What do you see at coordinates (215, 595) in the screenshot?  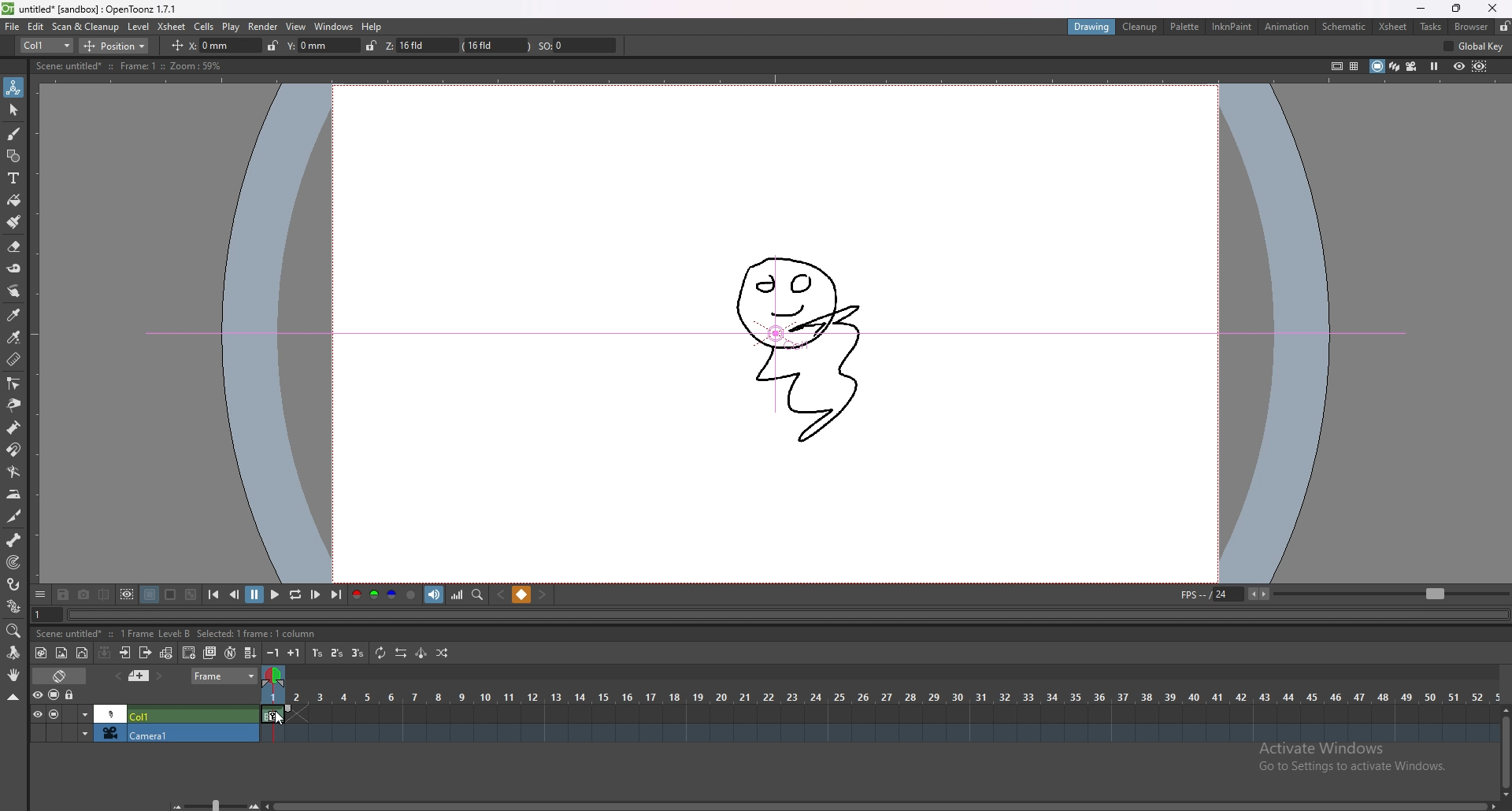 I see `first frame` at bounding box center [215, 595].